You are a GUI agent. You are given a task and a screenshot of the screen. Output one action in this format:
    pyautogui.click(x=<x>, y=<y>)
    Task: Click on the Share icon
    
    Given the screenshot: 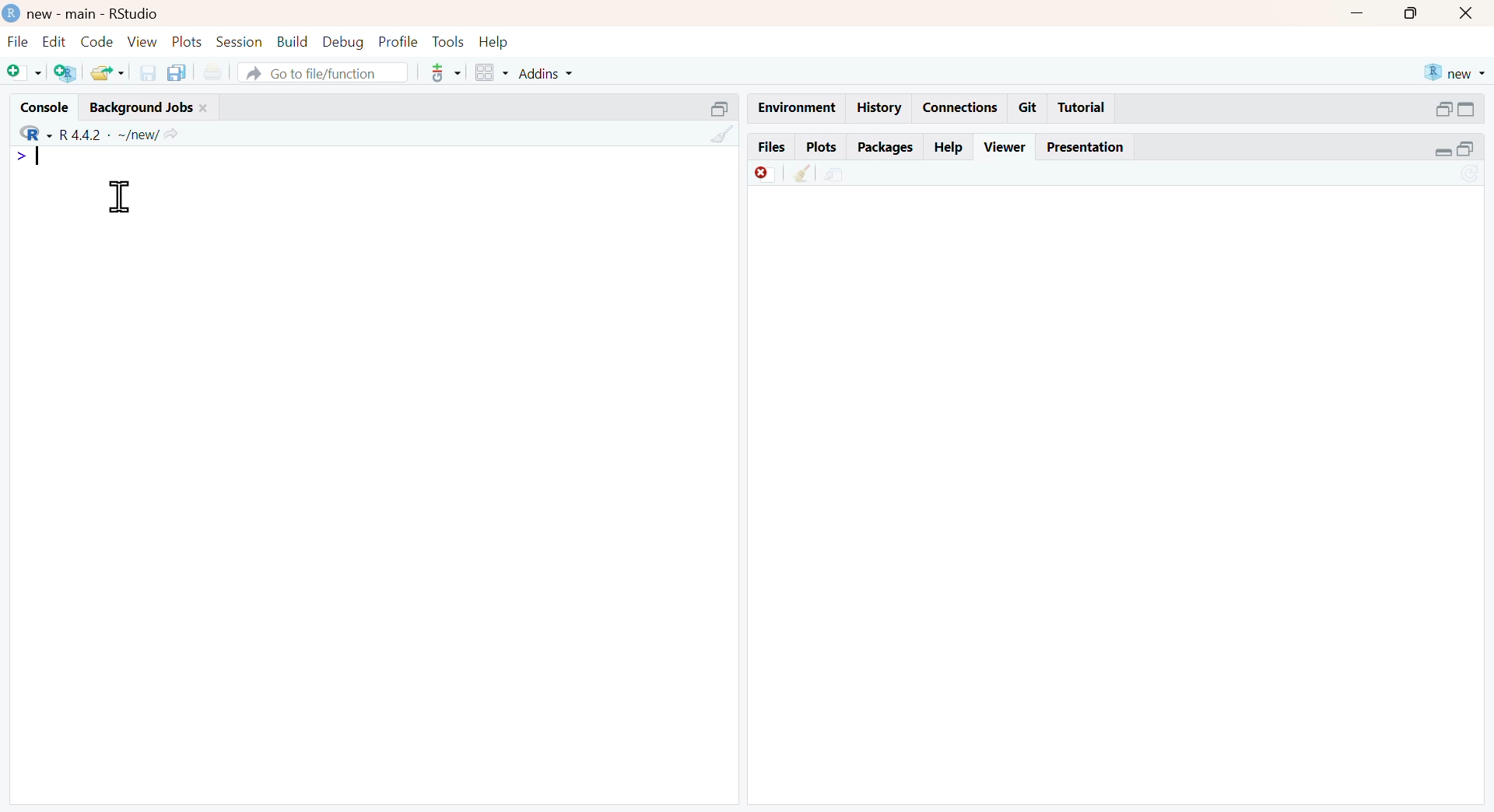 What is the action you would take?
    pyautogui.click(x=173, y=134)
    